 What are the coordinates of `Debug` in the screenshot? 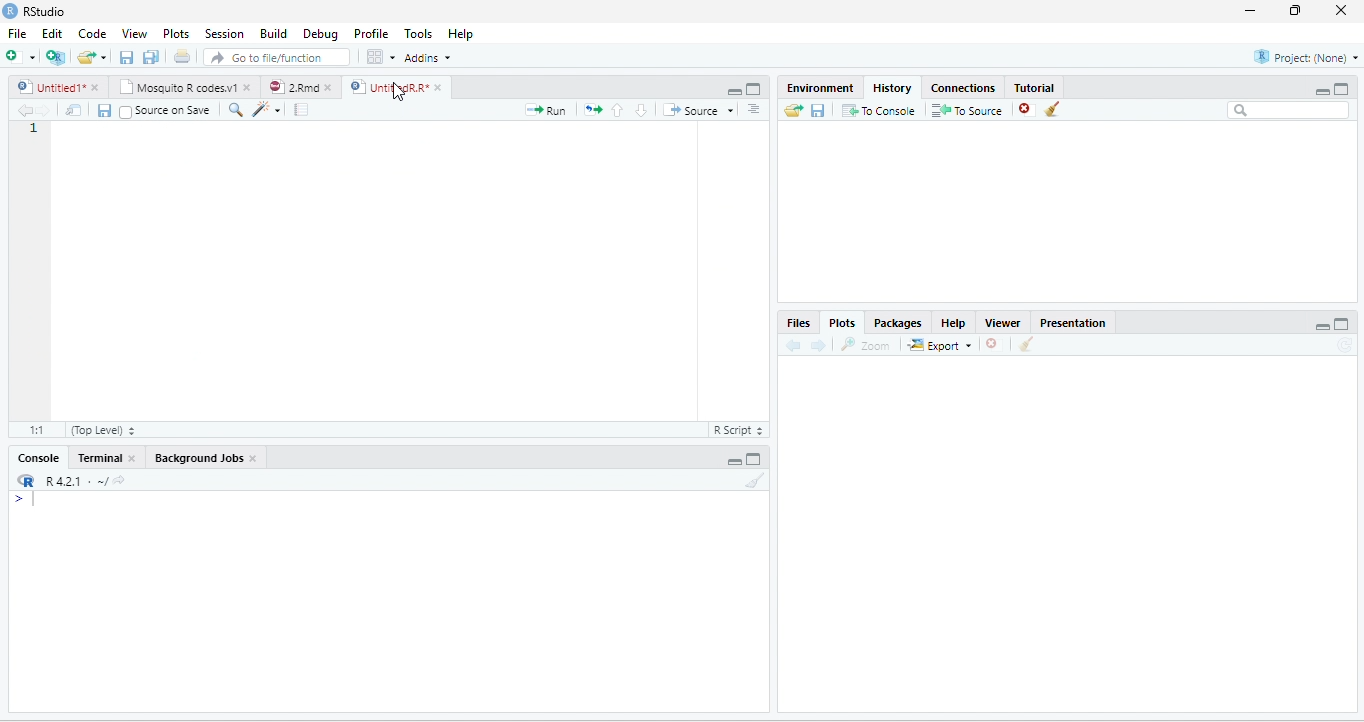 It's located at (320, 33).